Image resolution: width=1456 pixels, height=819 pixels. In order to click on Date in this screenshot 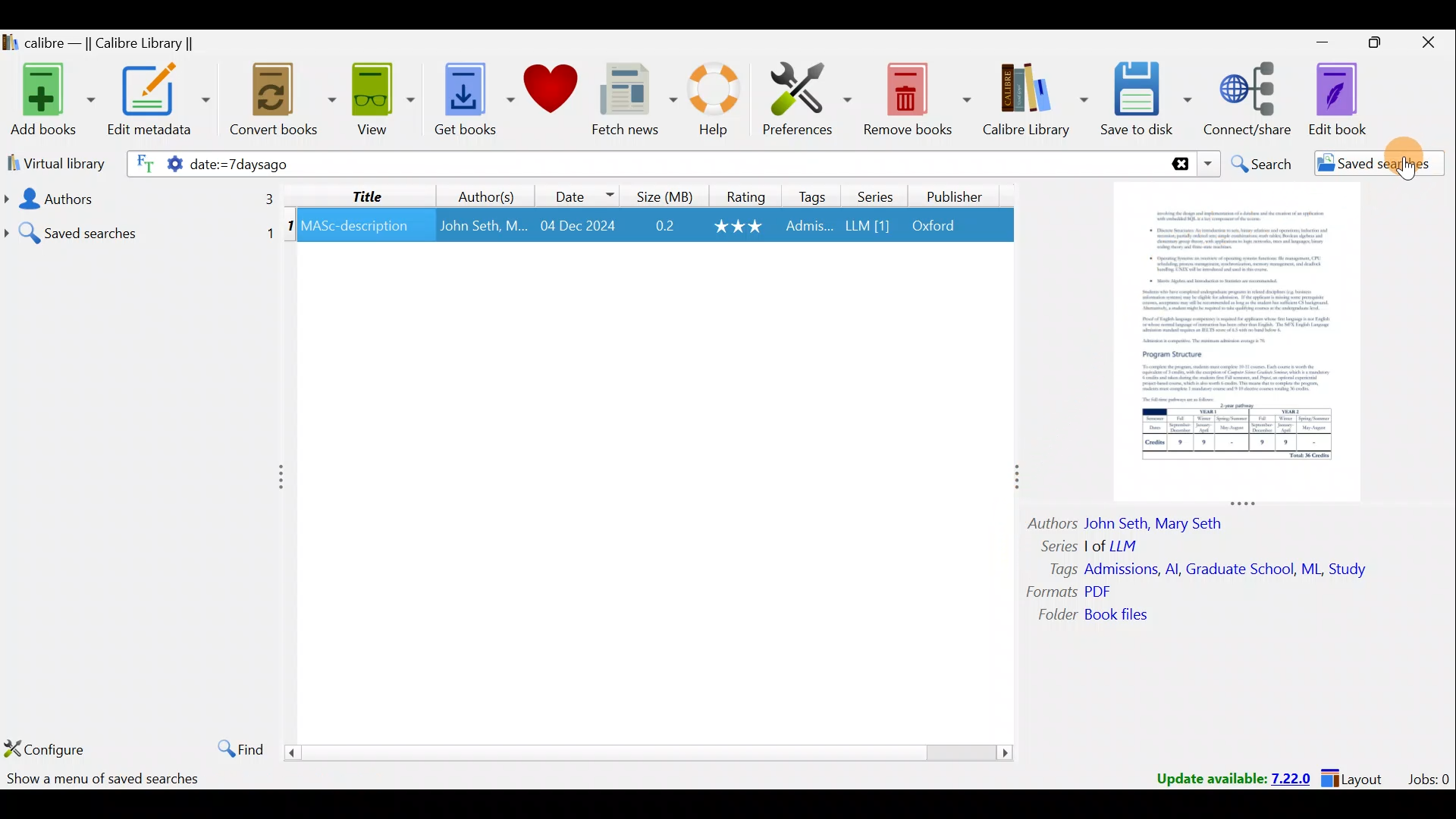, I will do `click(583, 193)`.